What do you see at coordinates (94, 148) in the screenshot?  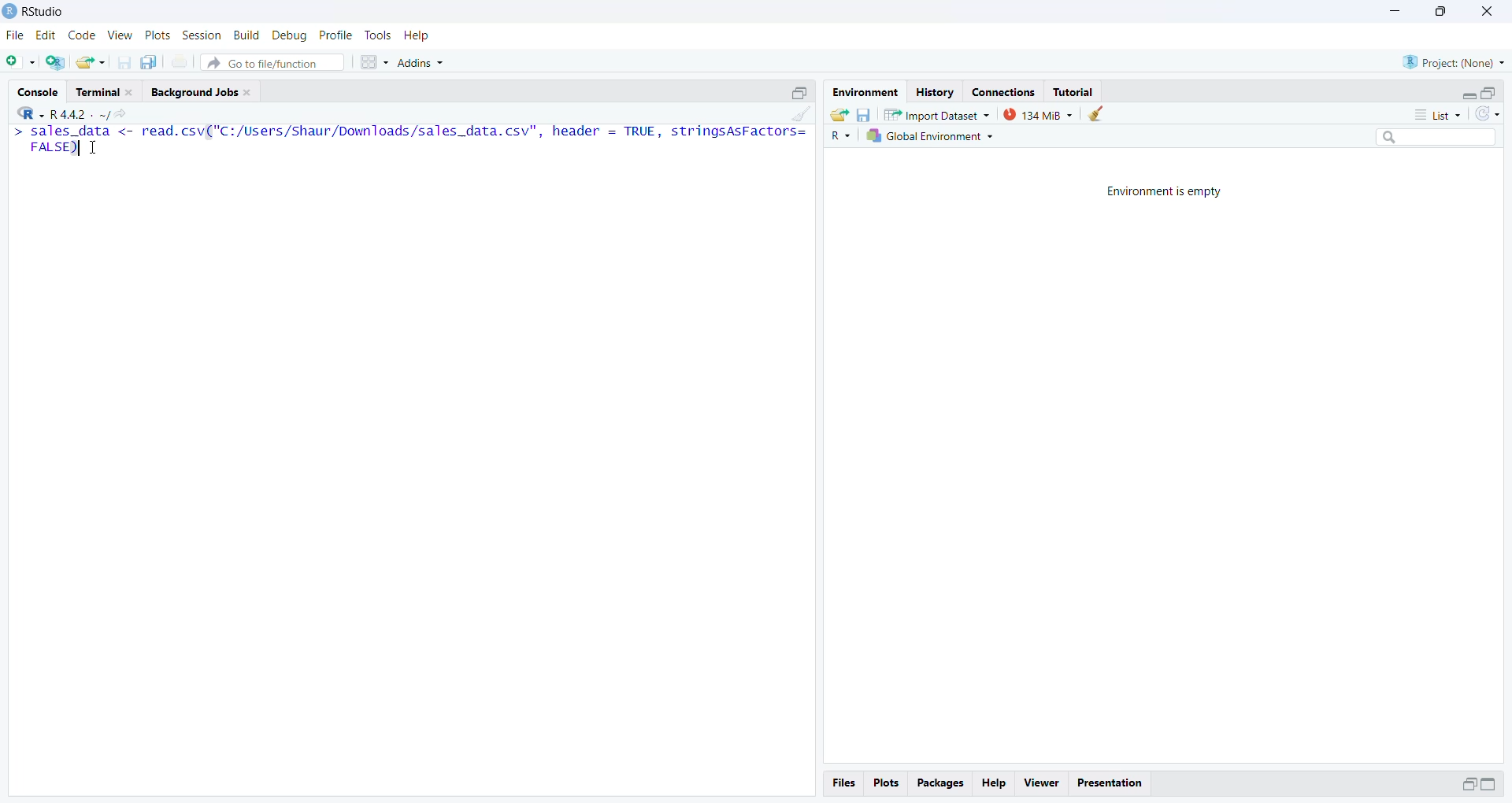 I see `Cursor` at bounding box center [94, 148].